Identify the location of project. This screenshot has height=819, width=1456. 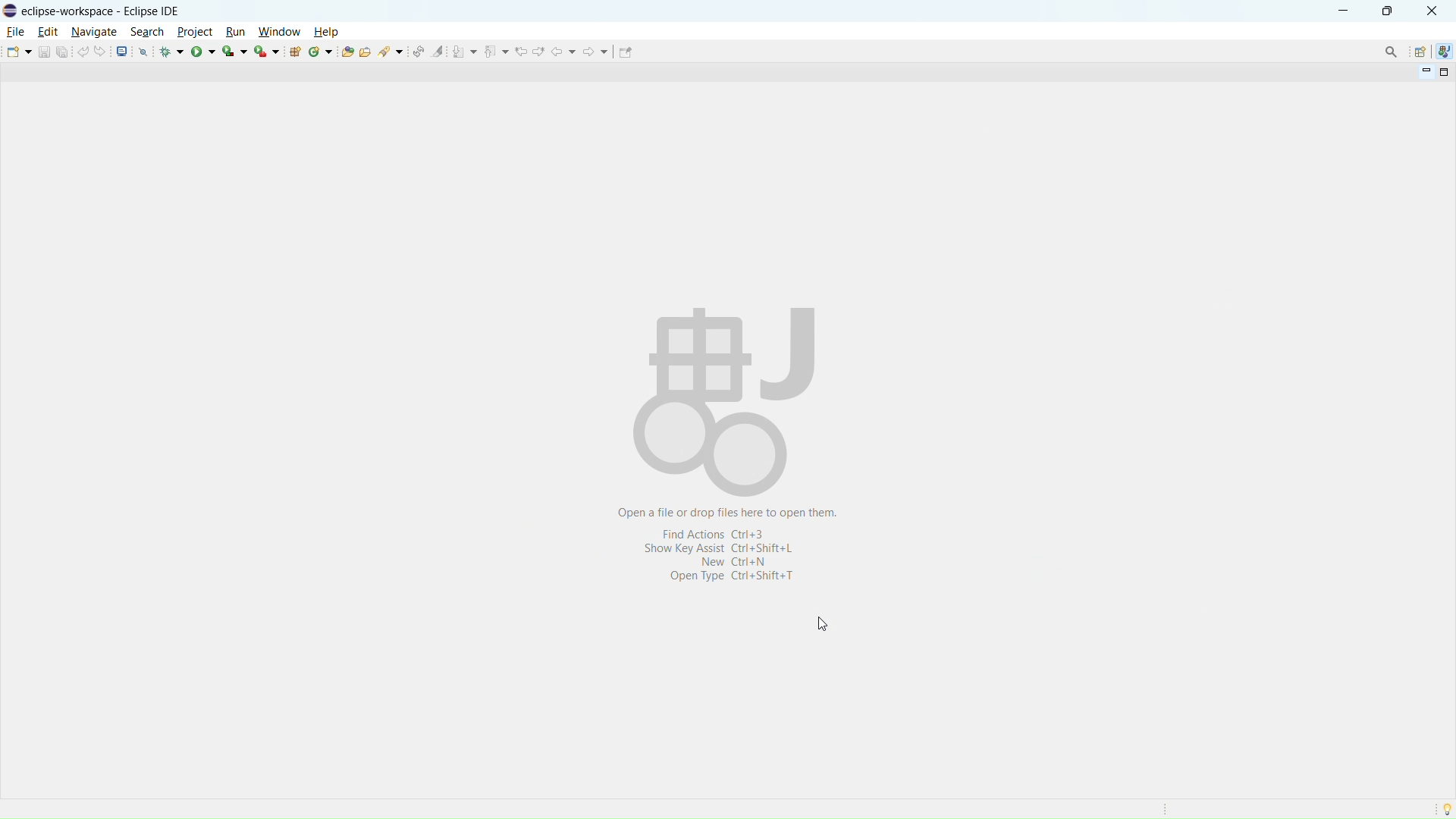
(194, 31).